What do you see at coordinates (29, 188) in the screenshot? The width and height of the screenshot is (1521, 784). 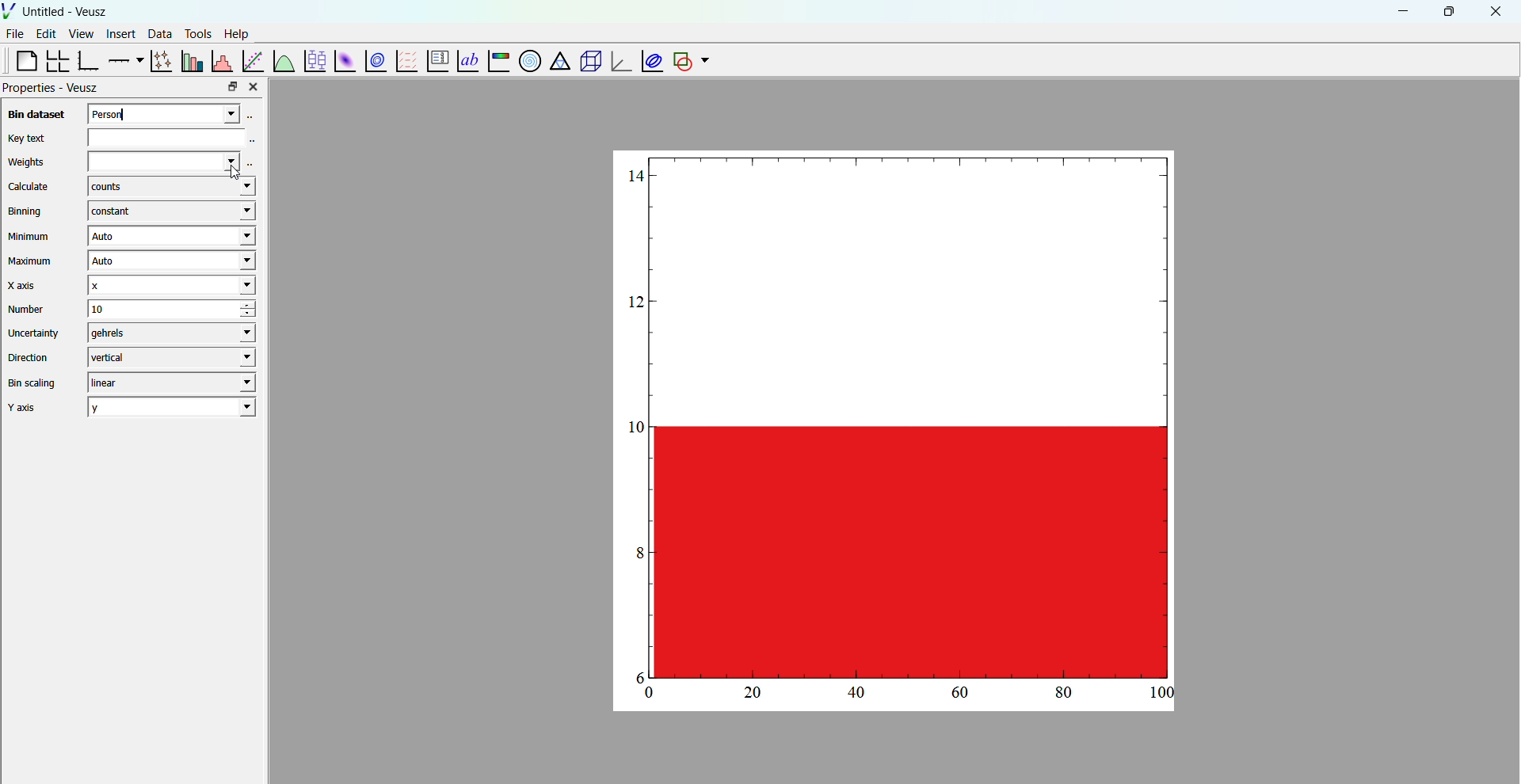 I see `Calculate` at bounding box center [29, 188].